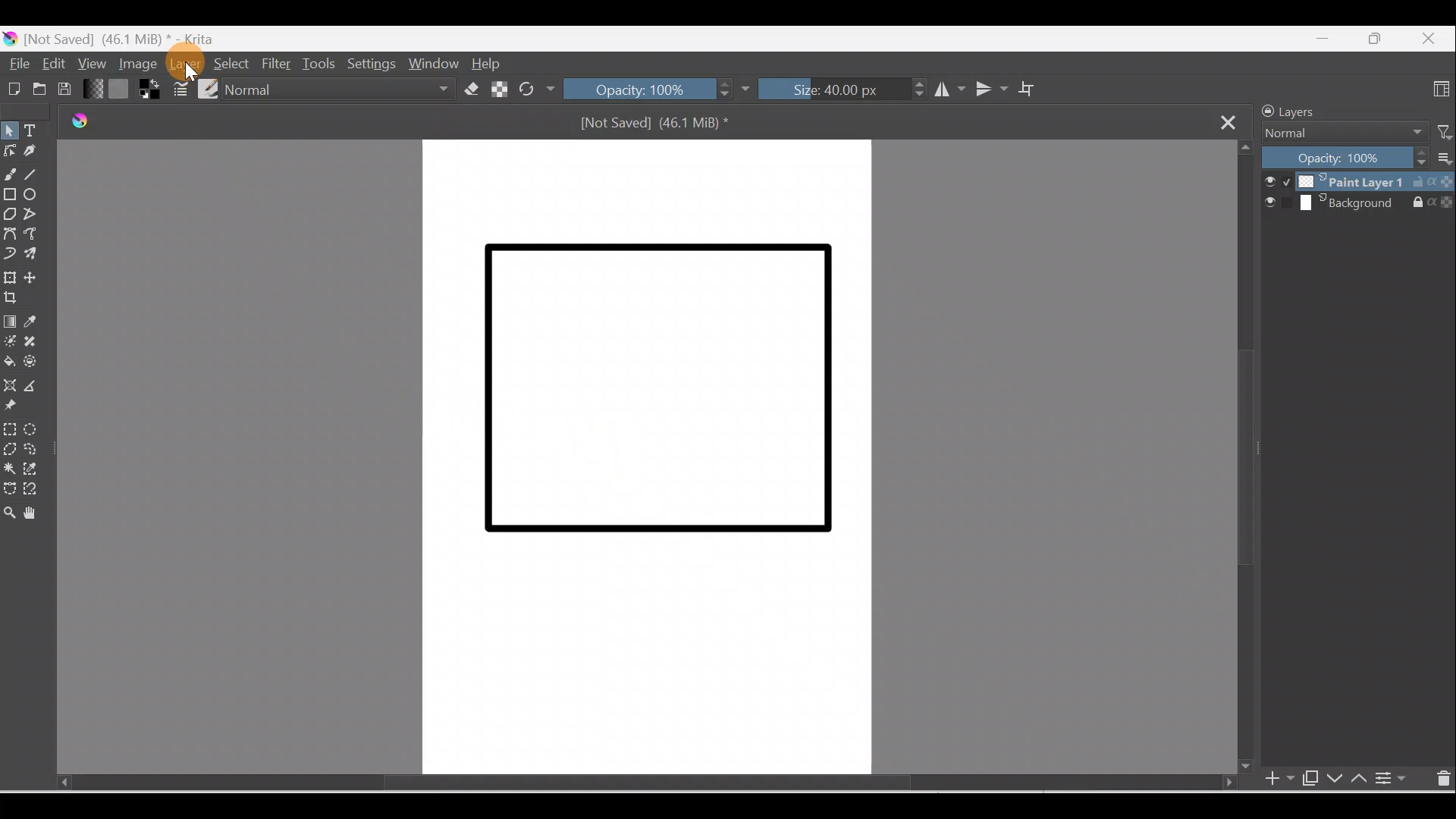 The image size is (1456, 819). Describe the element at coordinates (37, 387) in the screenshot. I see `Measure distance between two points` at that location.